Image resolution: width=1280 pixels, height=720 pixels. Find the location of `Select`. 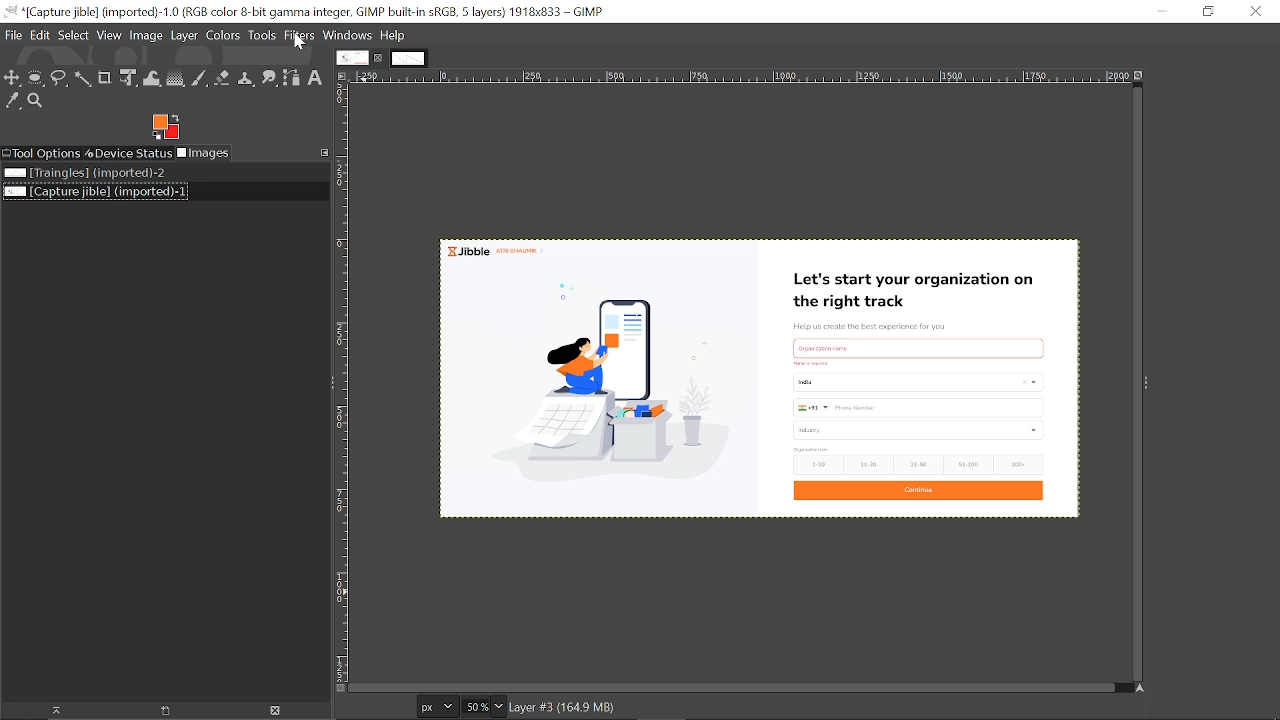

Select is located at coordinates (74, 36).